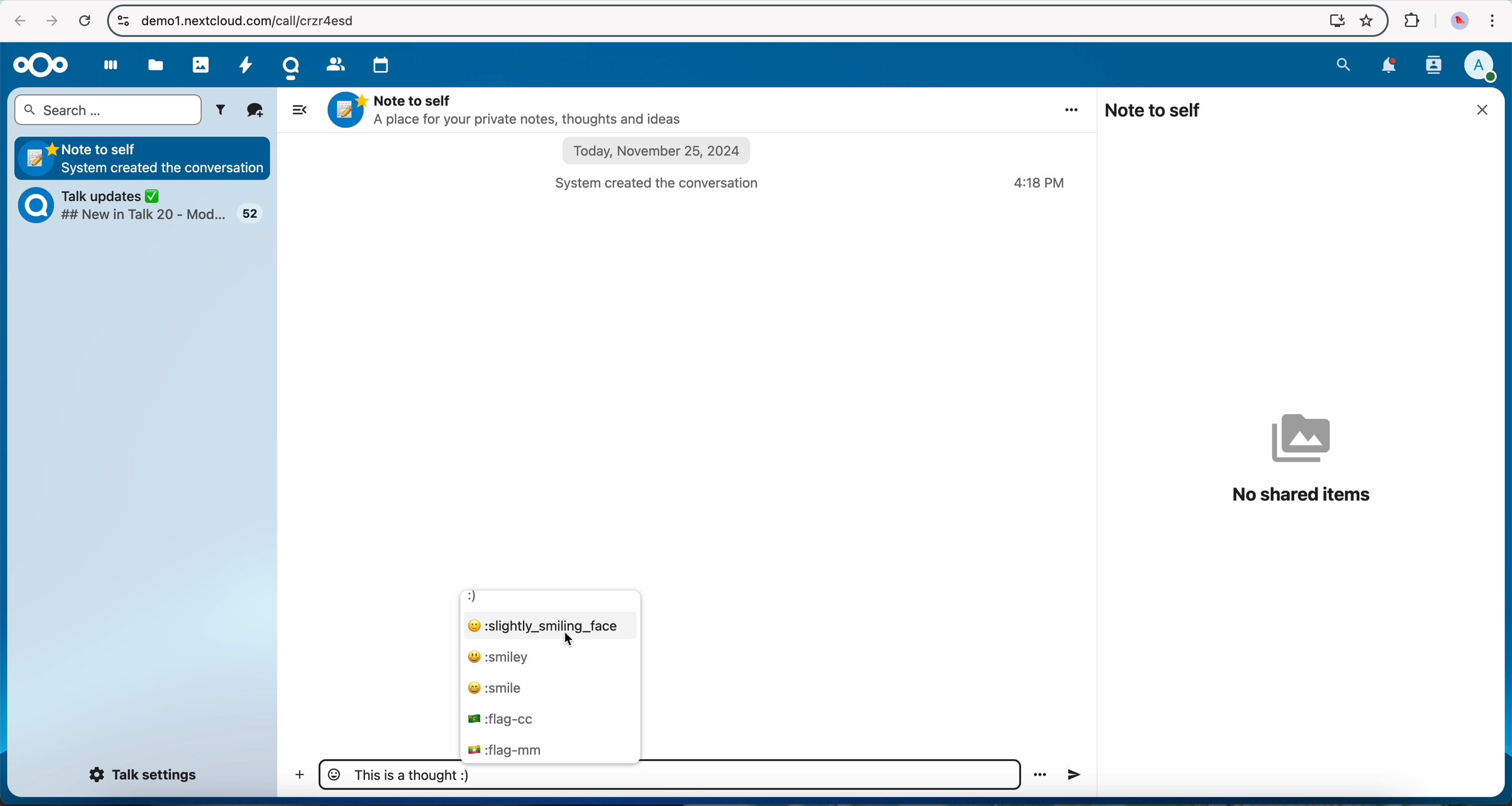  I want to click on filters, so click(223, 110).